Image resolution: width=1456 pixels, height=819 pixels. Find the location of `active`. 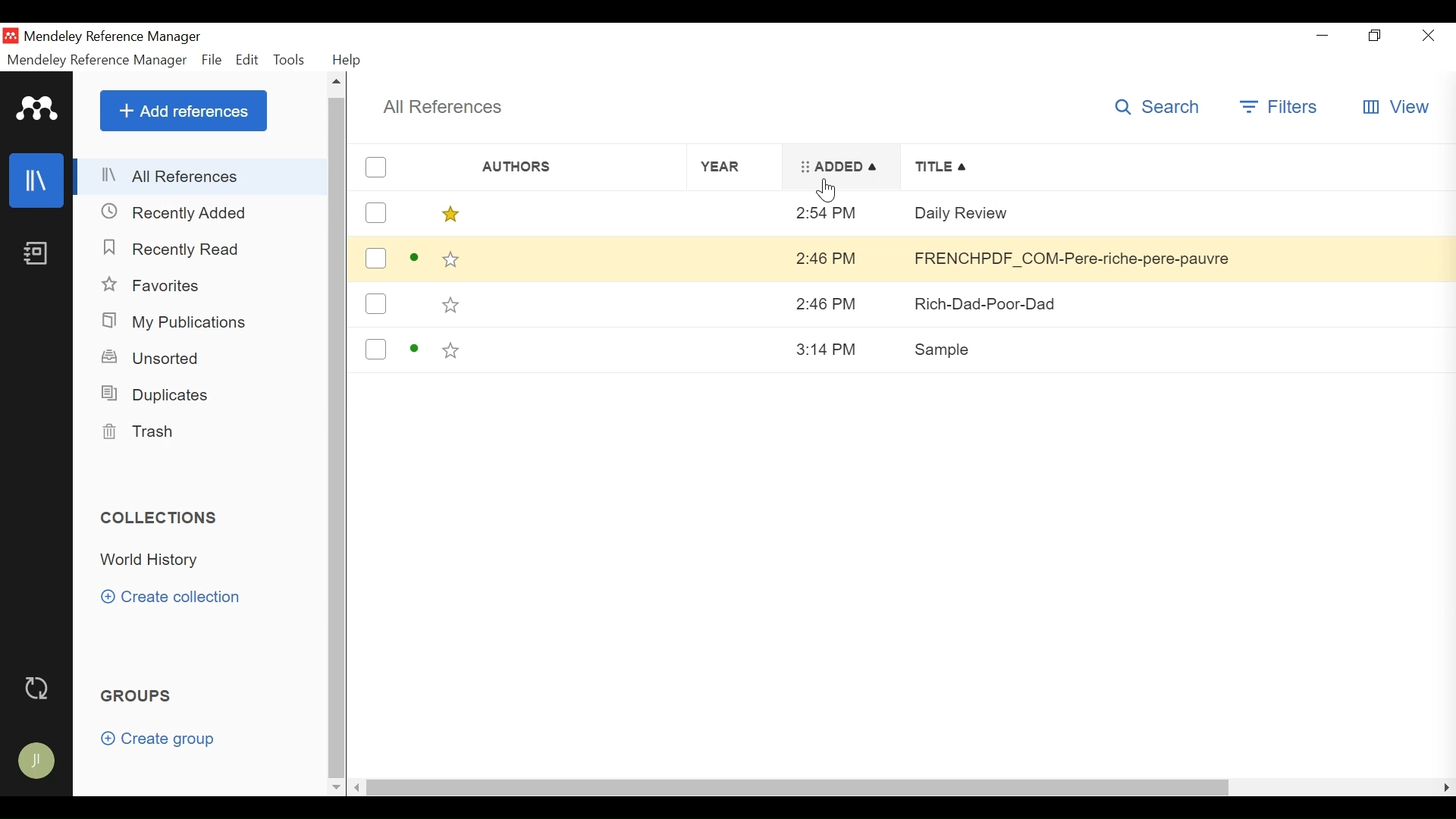

active is located at coordinates (415, 350).